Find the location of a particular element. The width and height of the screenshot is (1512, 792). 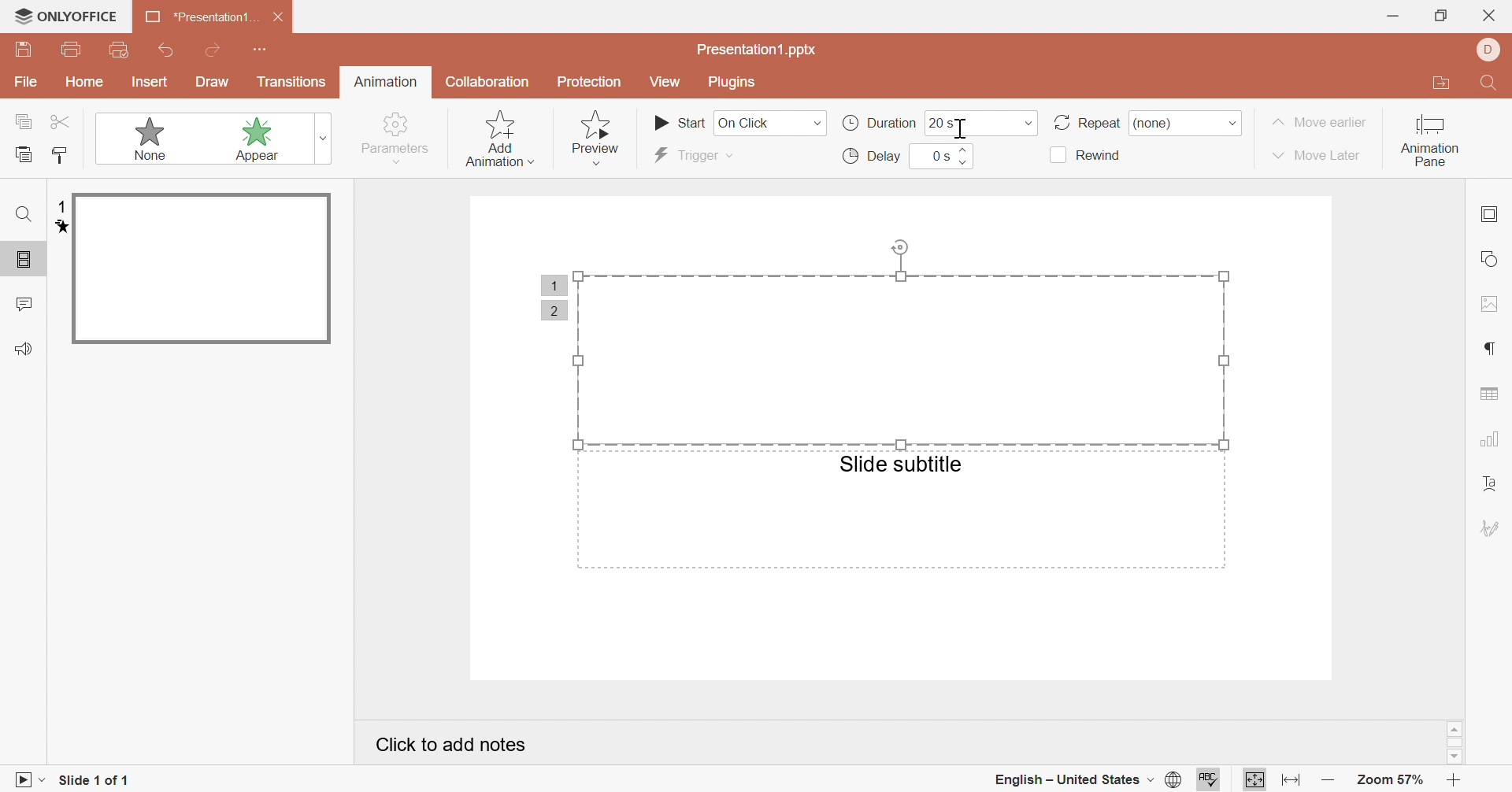

trigger is located at coordinates (688, 155).